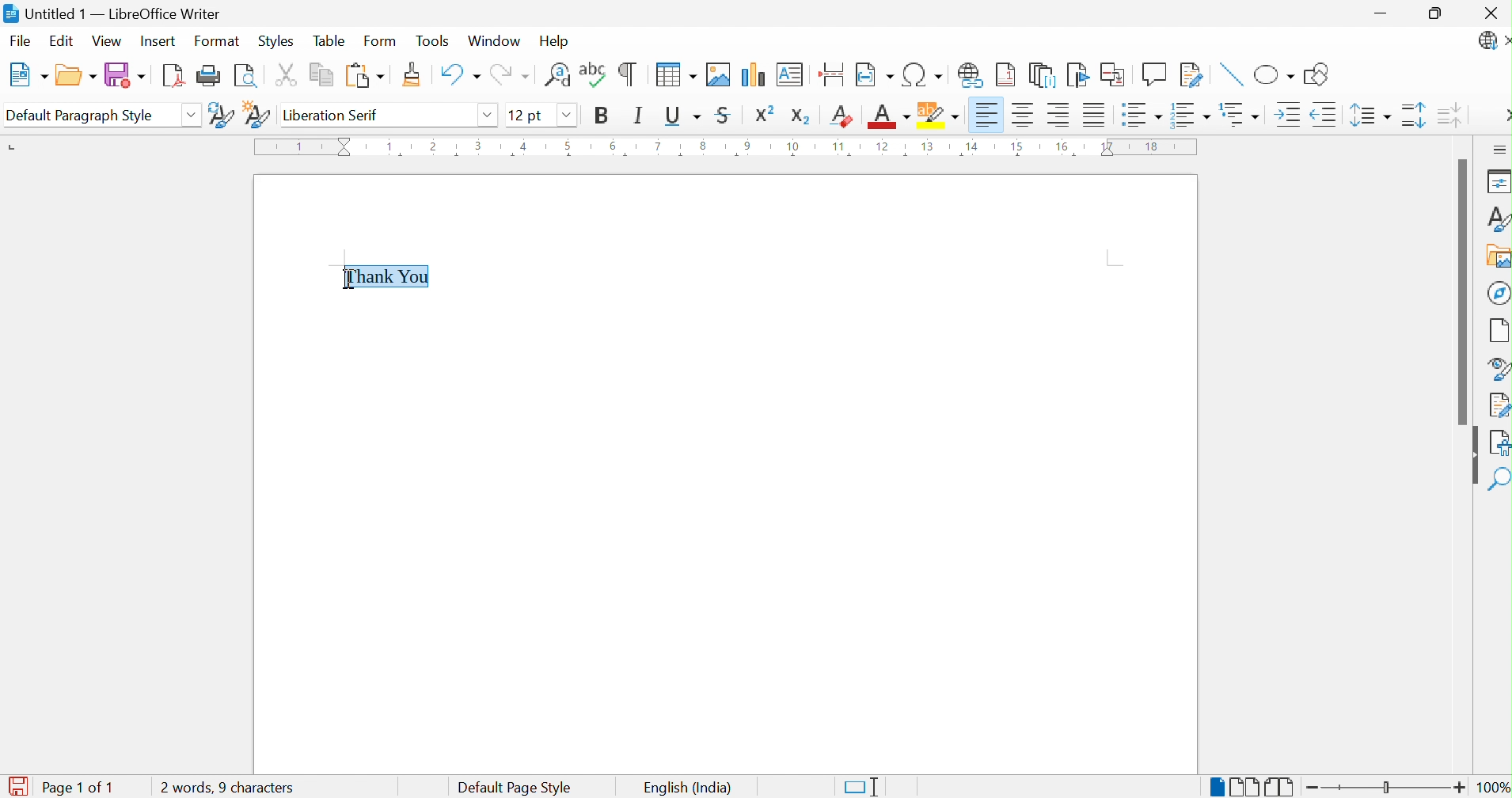 The height and width of the screenshot is (798, 1512). Describe the element at coordinates (1493, 787) in the screenshot. I see `100%` at that location.